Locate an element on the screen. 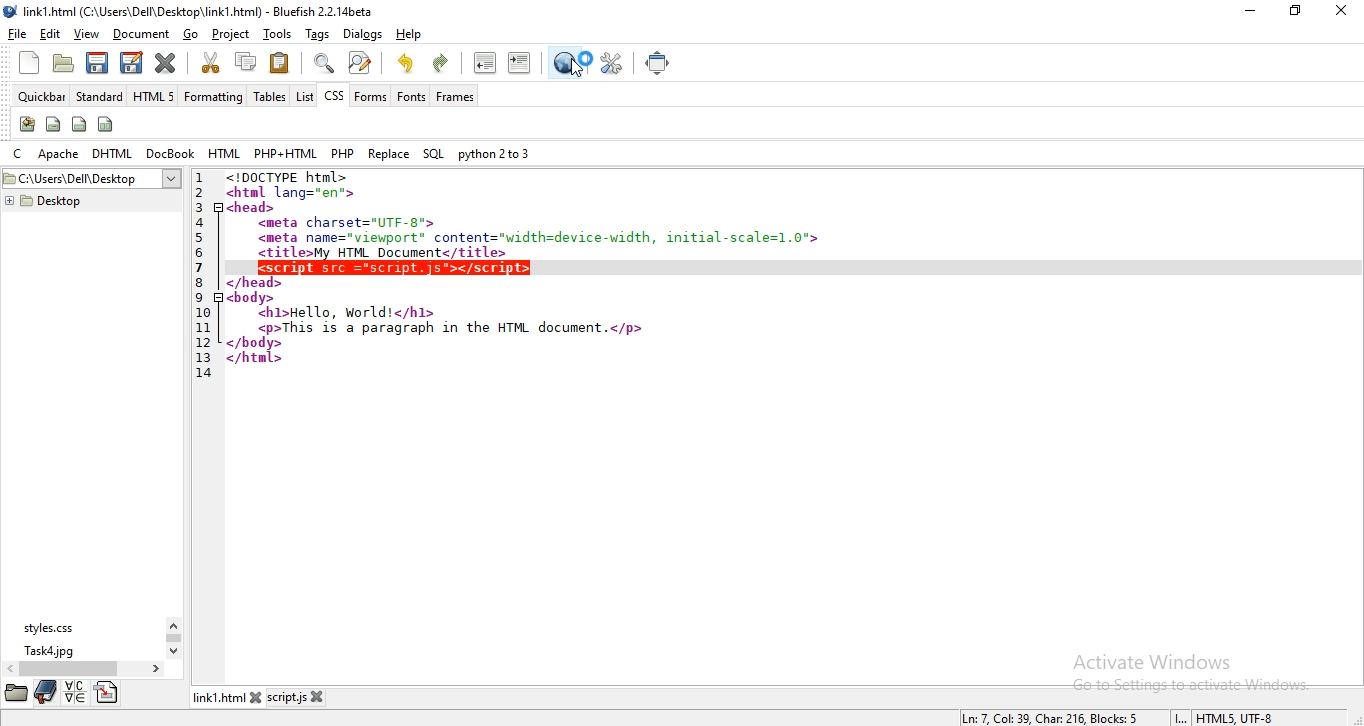 Image resolution: width=1364 pixels, height=726 pixels. show find bar is located at coordinates (321, 63).